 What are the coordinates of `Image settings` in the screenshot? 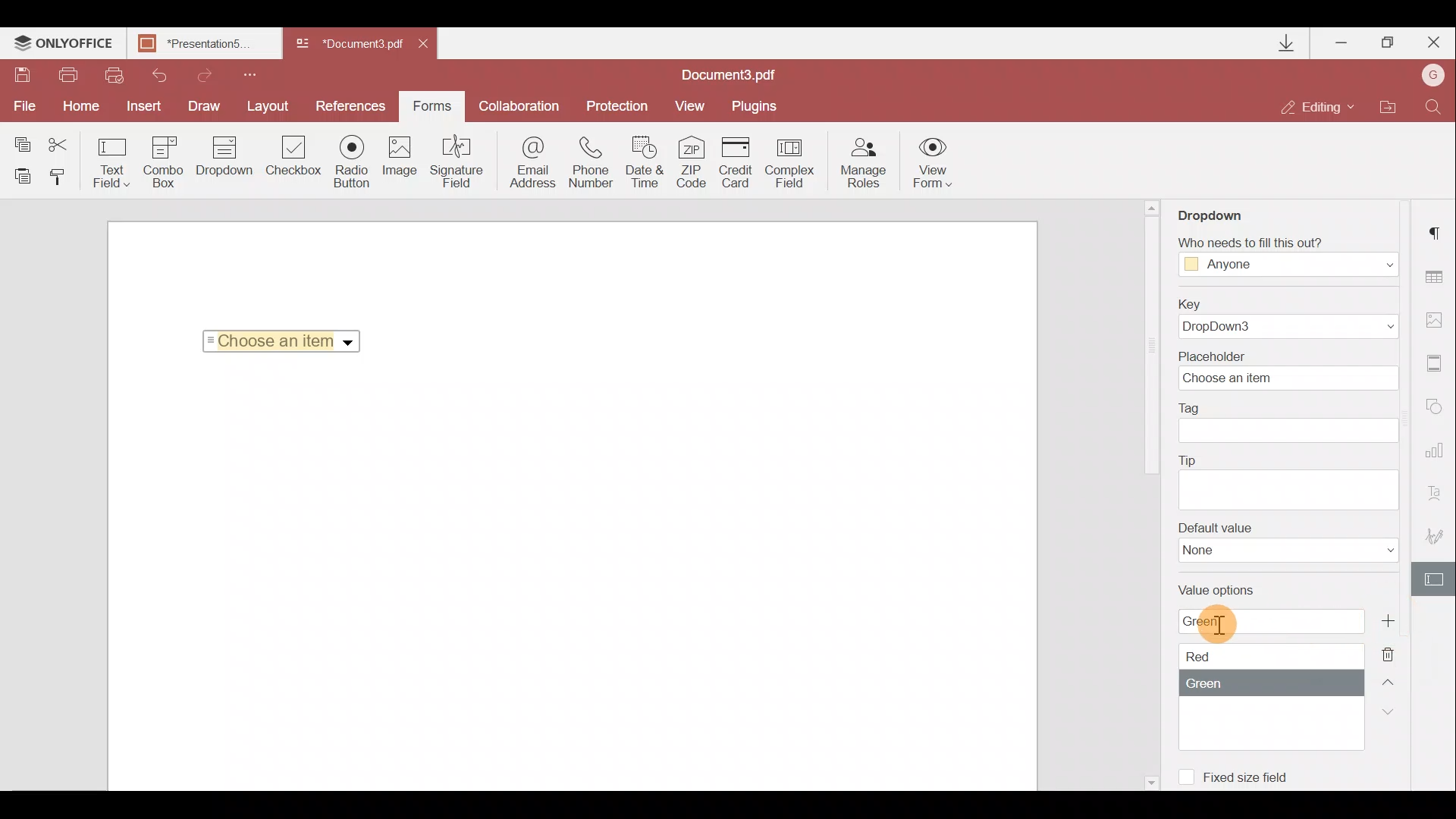 It's located at (1439, 319).